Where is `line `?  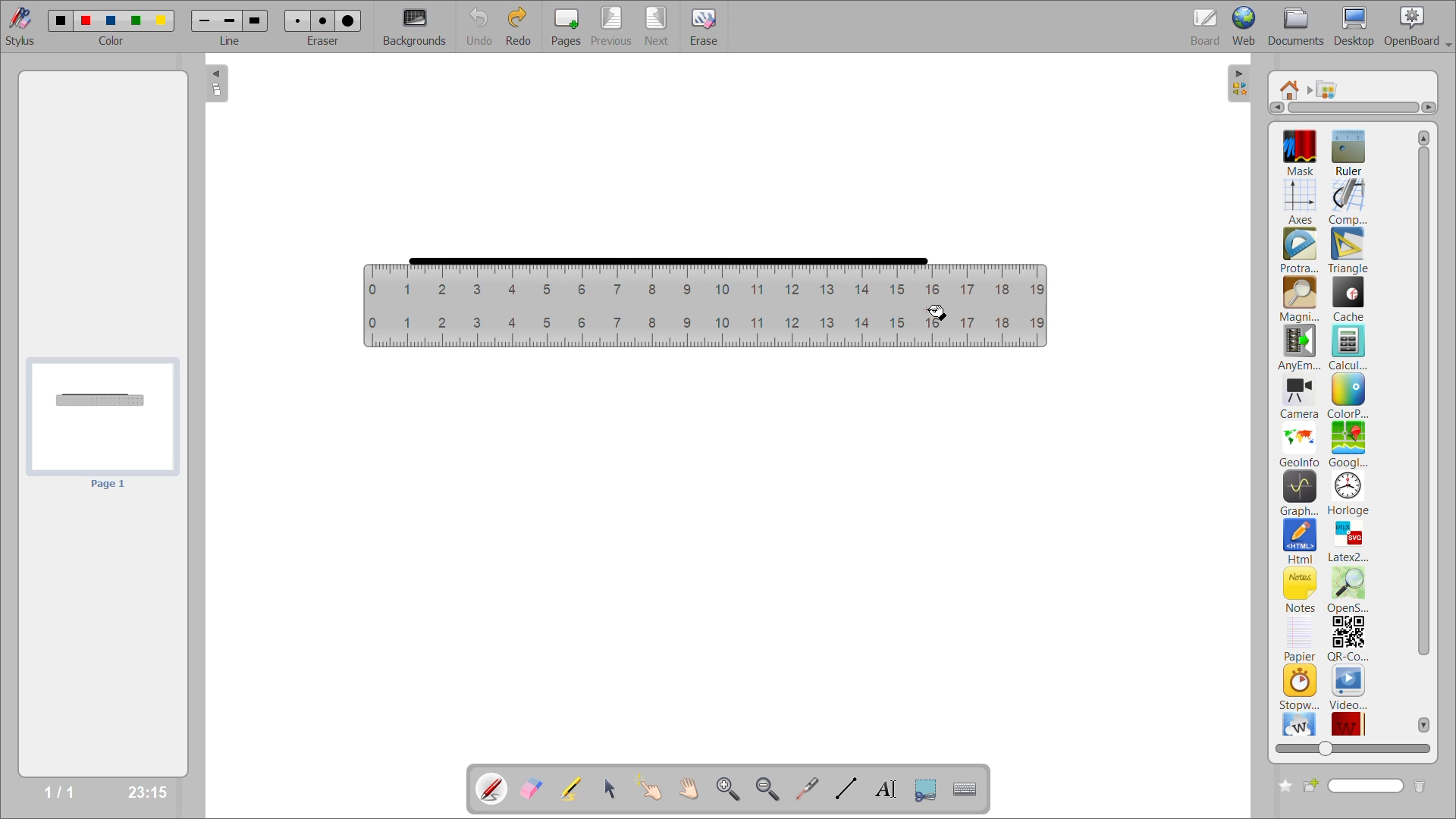
line  is located at coordinates (231, 40).